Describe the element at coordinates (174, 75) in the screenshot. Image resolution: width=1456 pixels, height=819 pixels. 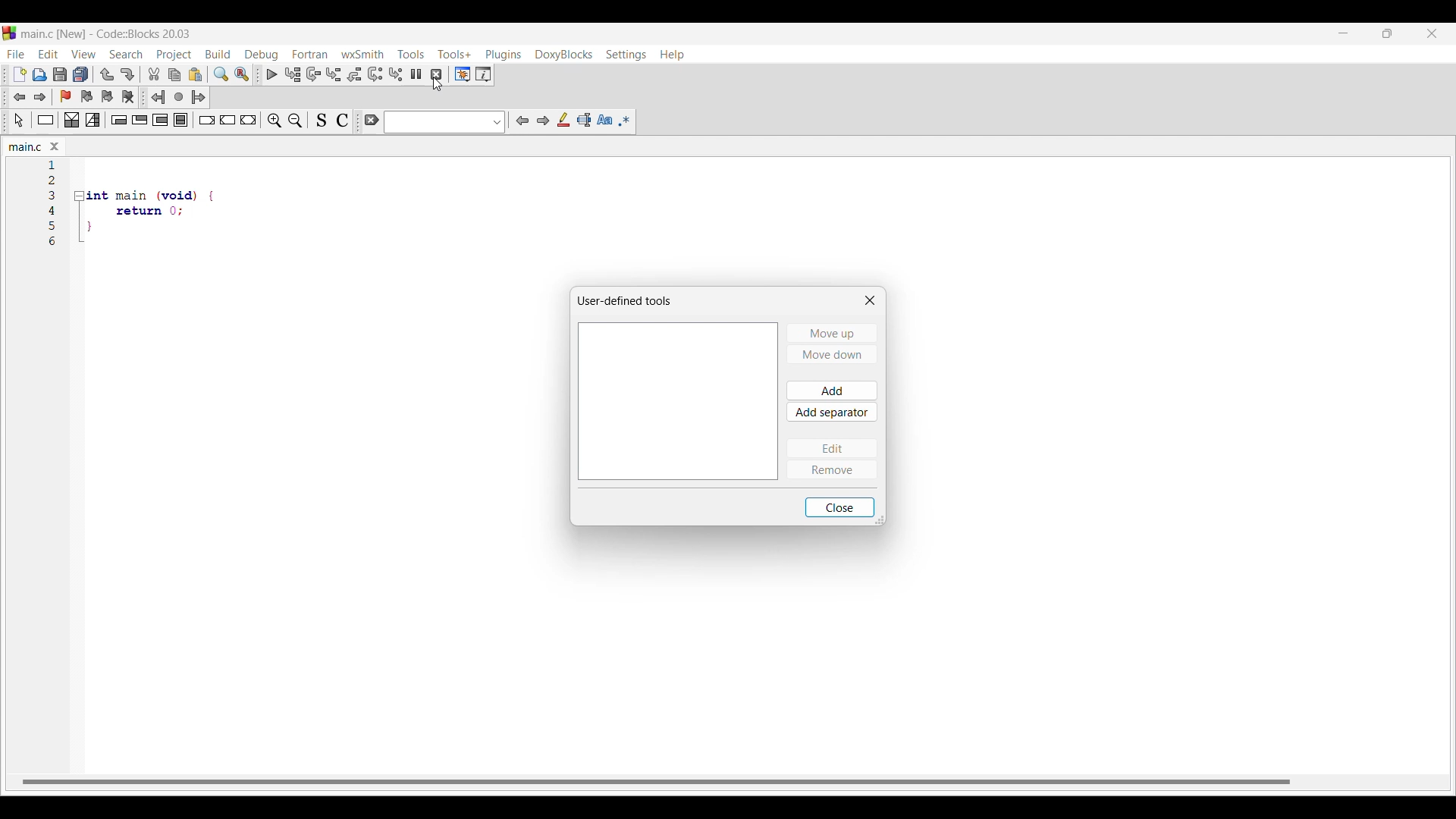
I see `Copy` at that location.